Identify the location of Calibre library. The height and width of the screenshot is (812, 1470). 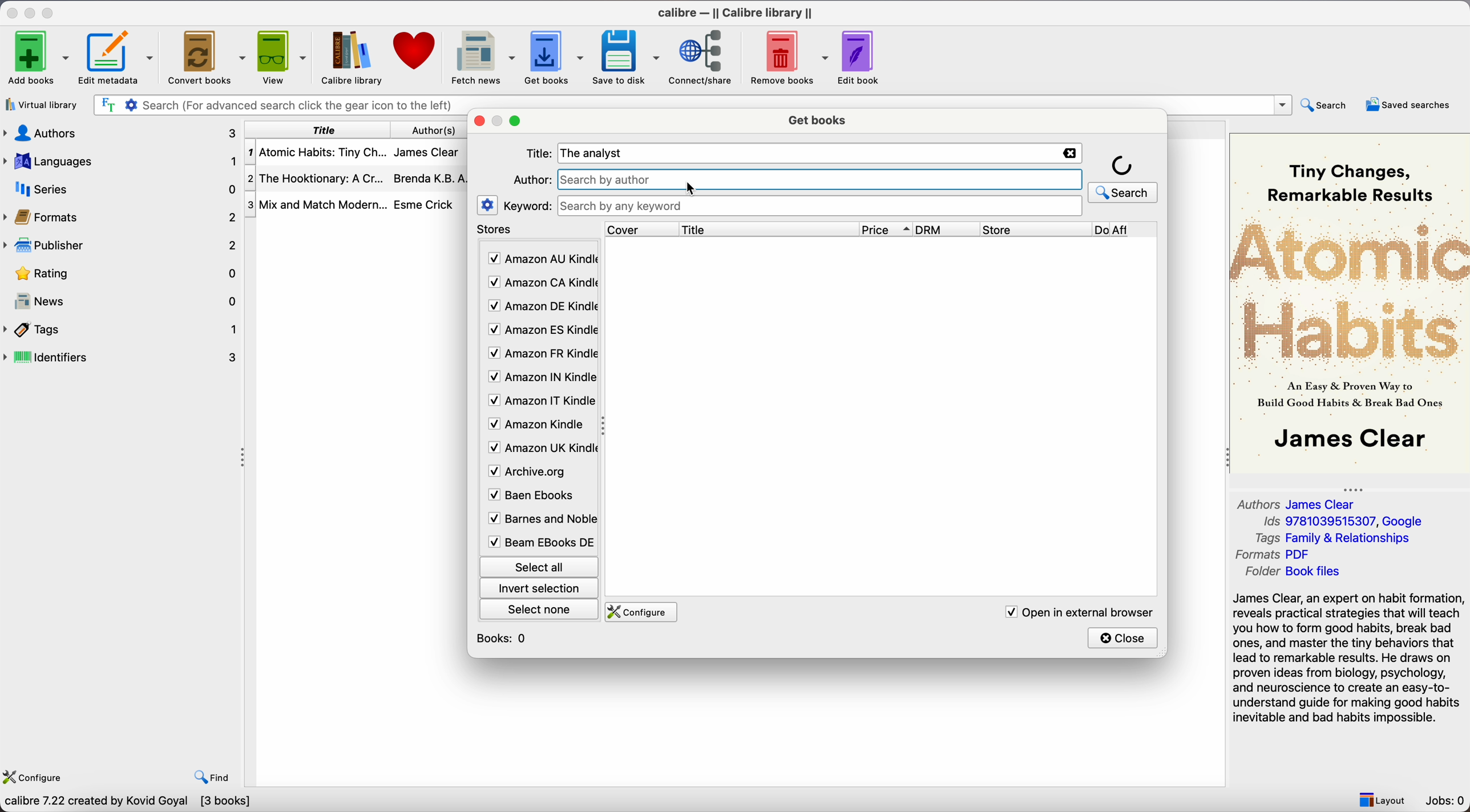
(349, 57).